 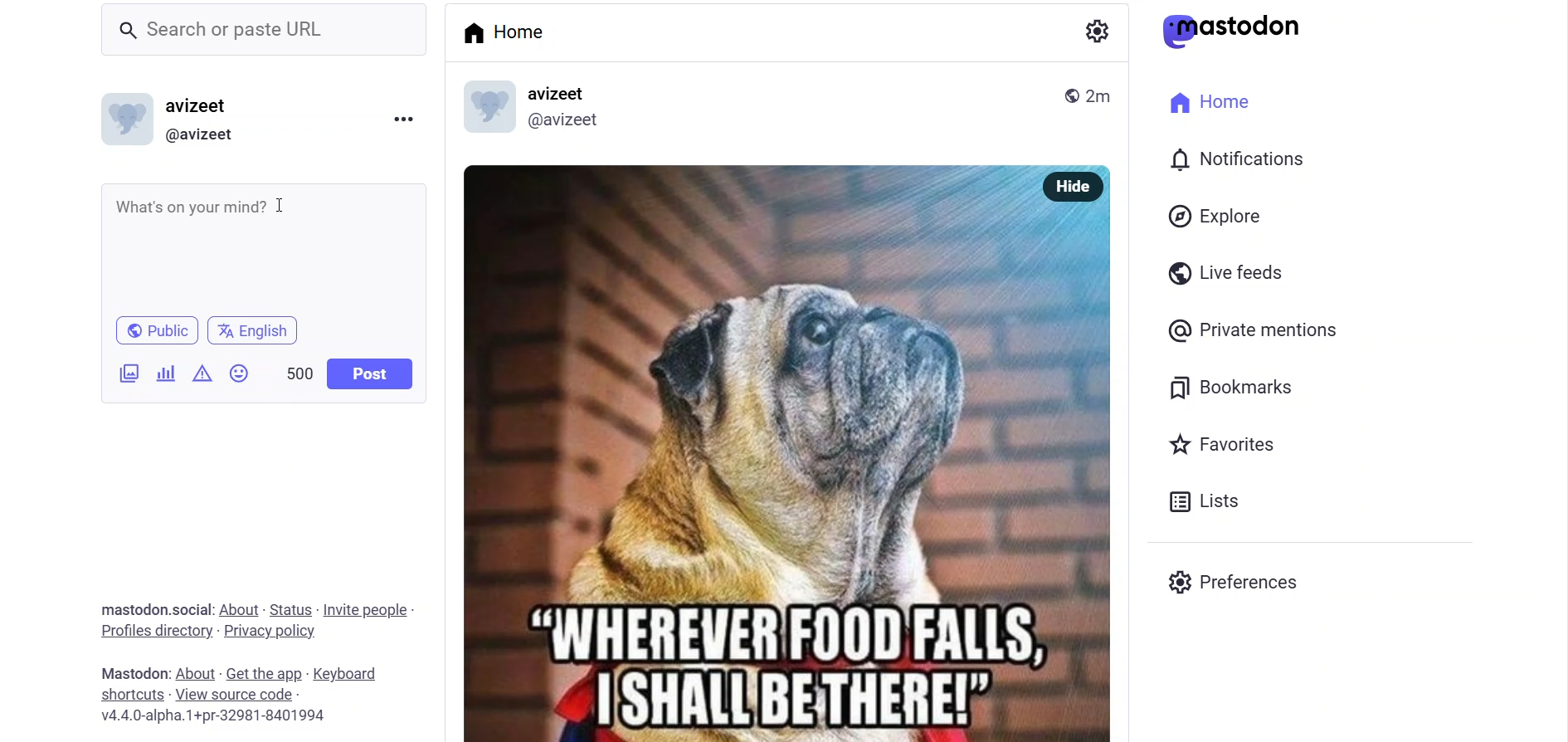 I want to click on 2m, so click(x=1098, y=95).